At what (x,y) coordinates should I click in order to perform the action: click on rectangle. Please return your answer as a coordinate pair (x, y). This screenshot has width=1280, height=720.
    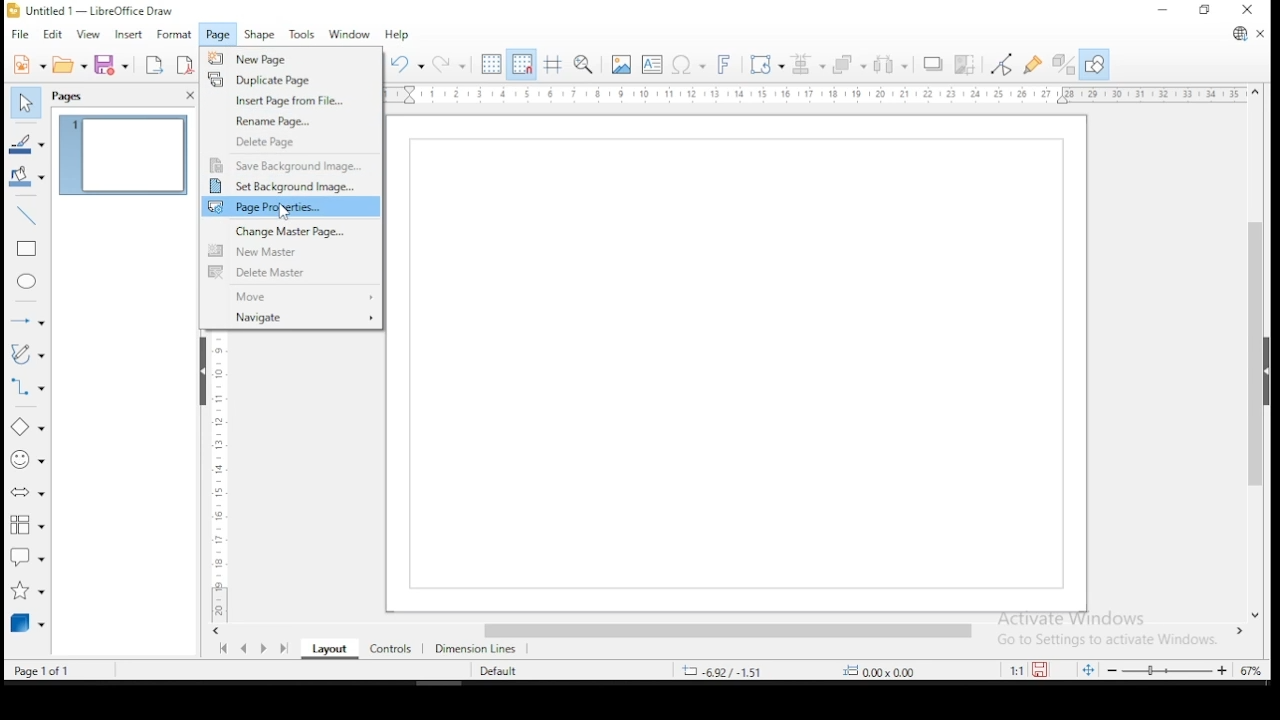
    Looking at the image, I should click on (25, 250).